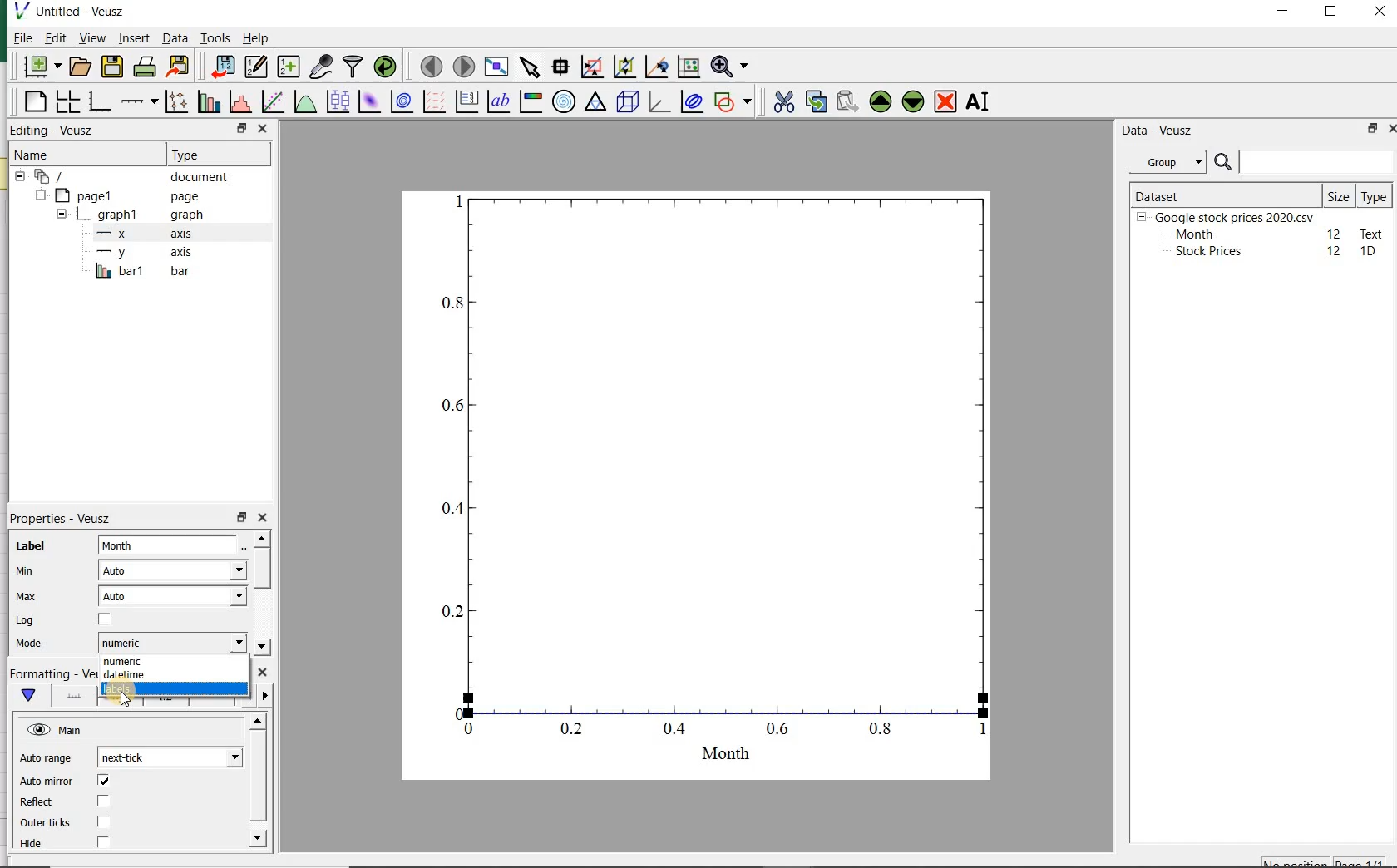 The width and height of the screenshot is (1397, 868). What do you see at coordinates (262, 128) in the screenshot?
I see `close` at bounding box center [262, 128].